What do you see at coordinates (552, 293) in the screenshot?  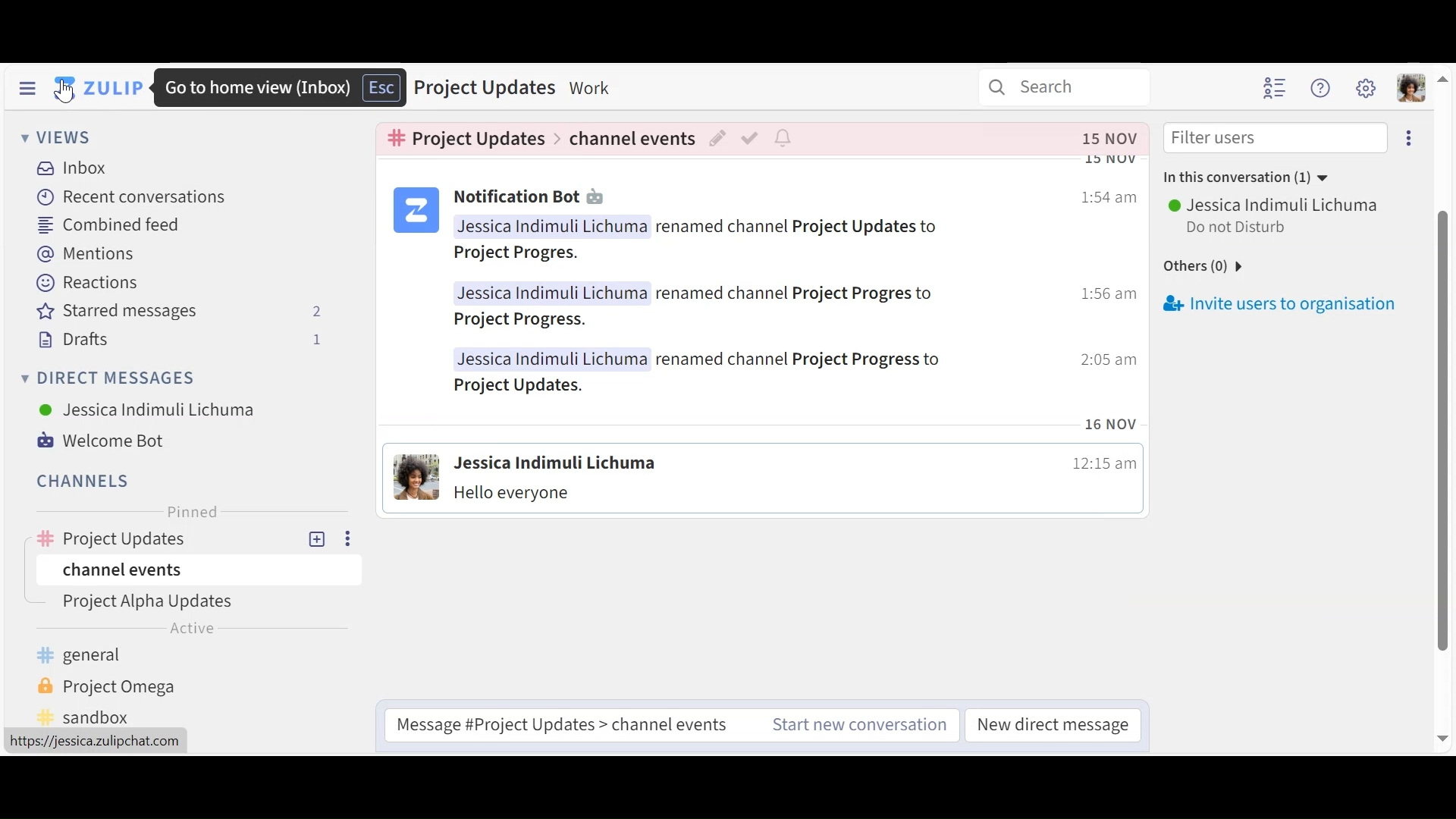 I see `user name` at bounding box center [552, 293].